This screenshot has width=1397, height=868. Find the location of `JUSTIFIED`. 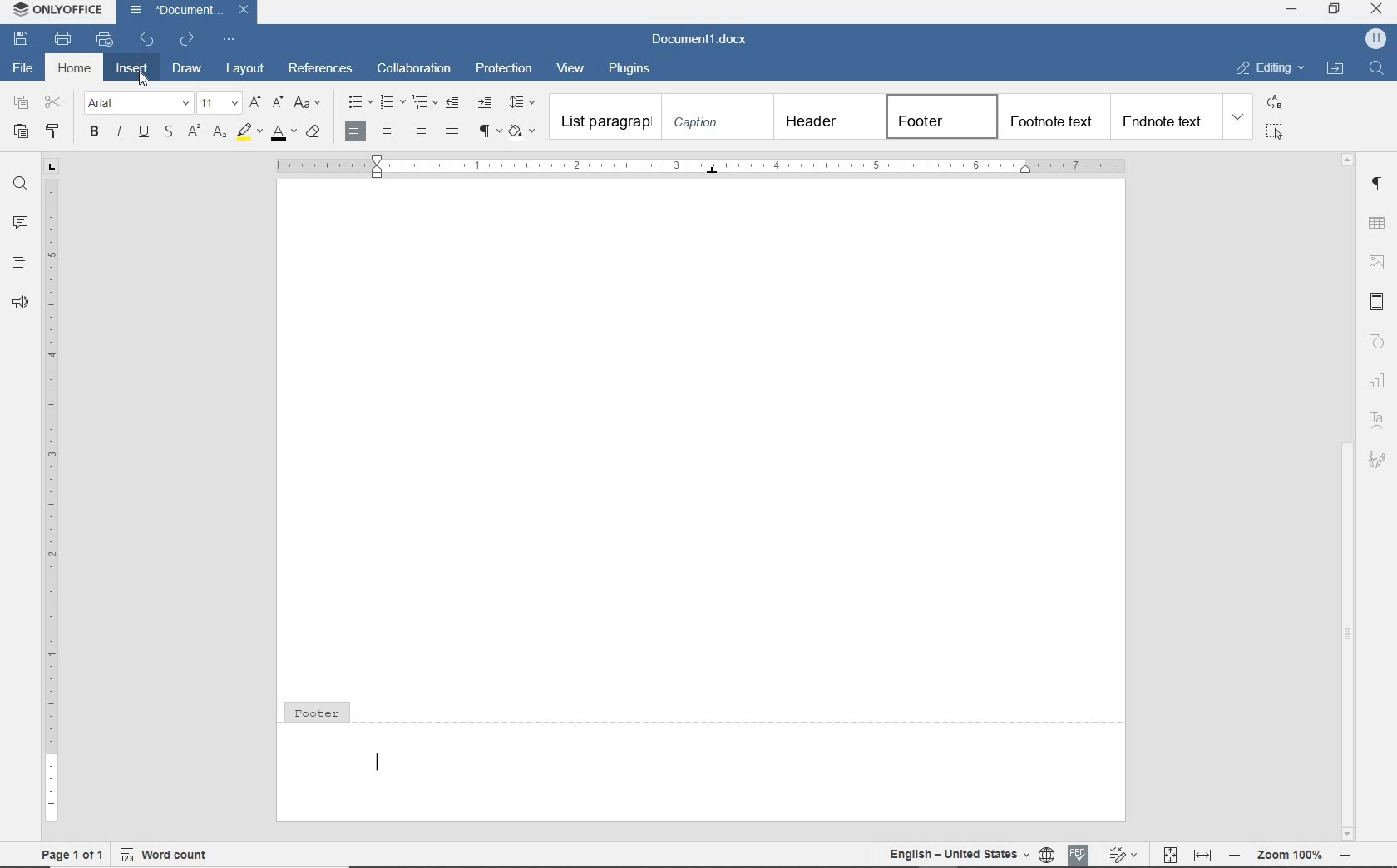

JUSTIFIED is located at coordinates (451, 133).